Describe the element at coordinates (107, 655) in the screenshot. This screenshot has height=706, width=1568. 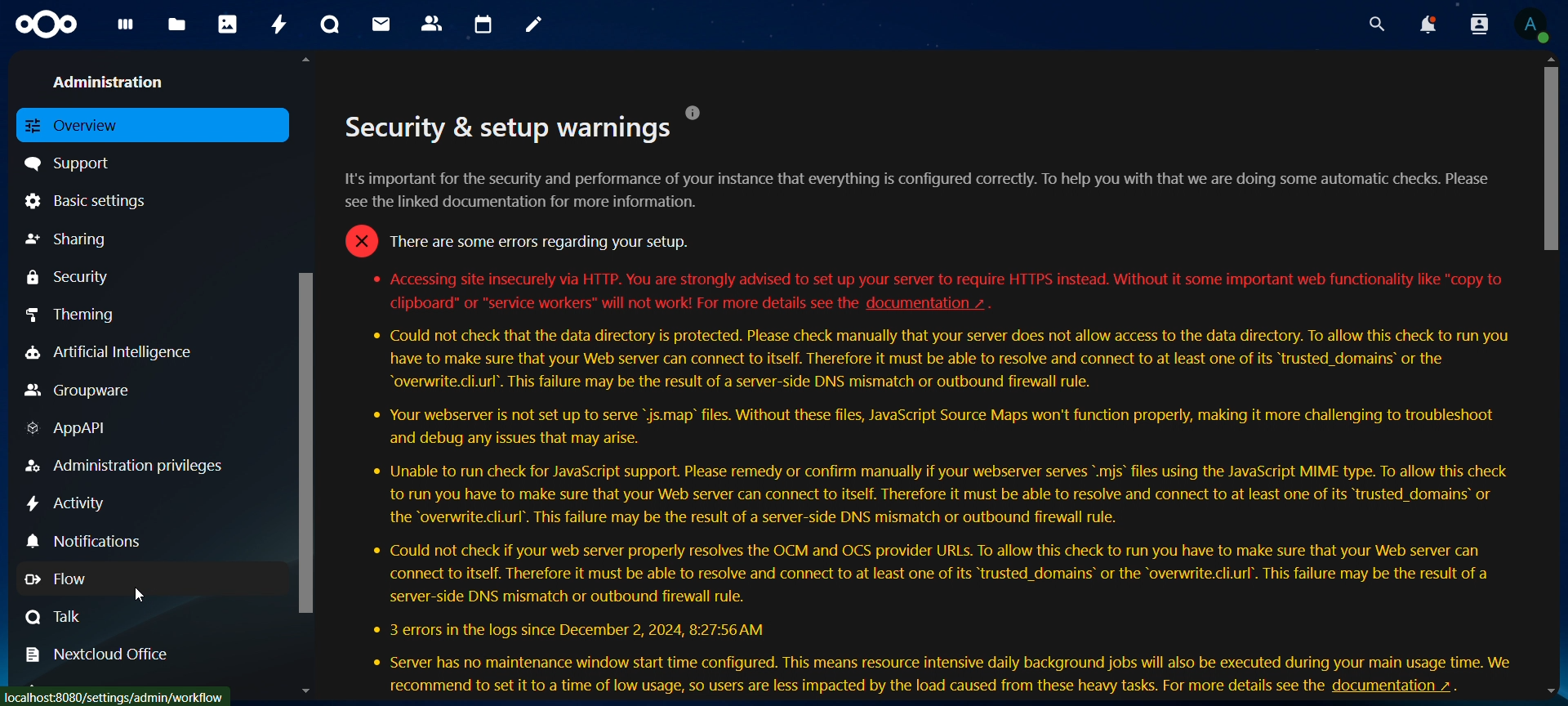
I see `nextcloud office` at that location.